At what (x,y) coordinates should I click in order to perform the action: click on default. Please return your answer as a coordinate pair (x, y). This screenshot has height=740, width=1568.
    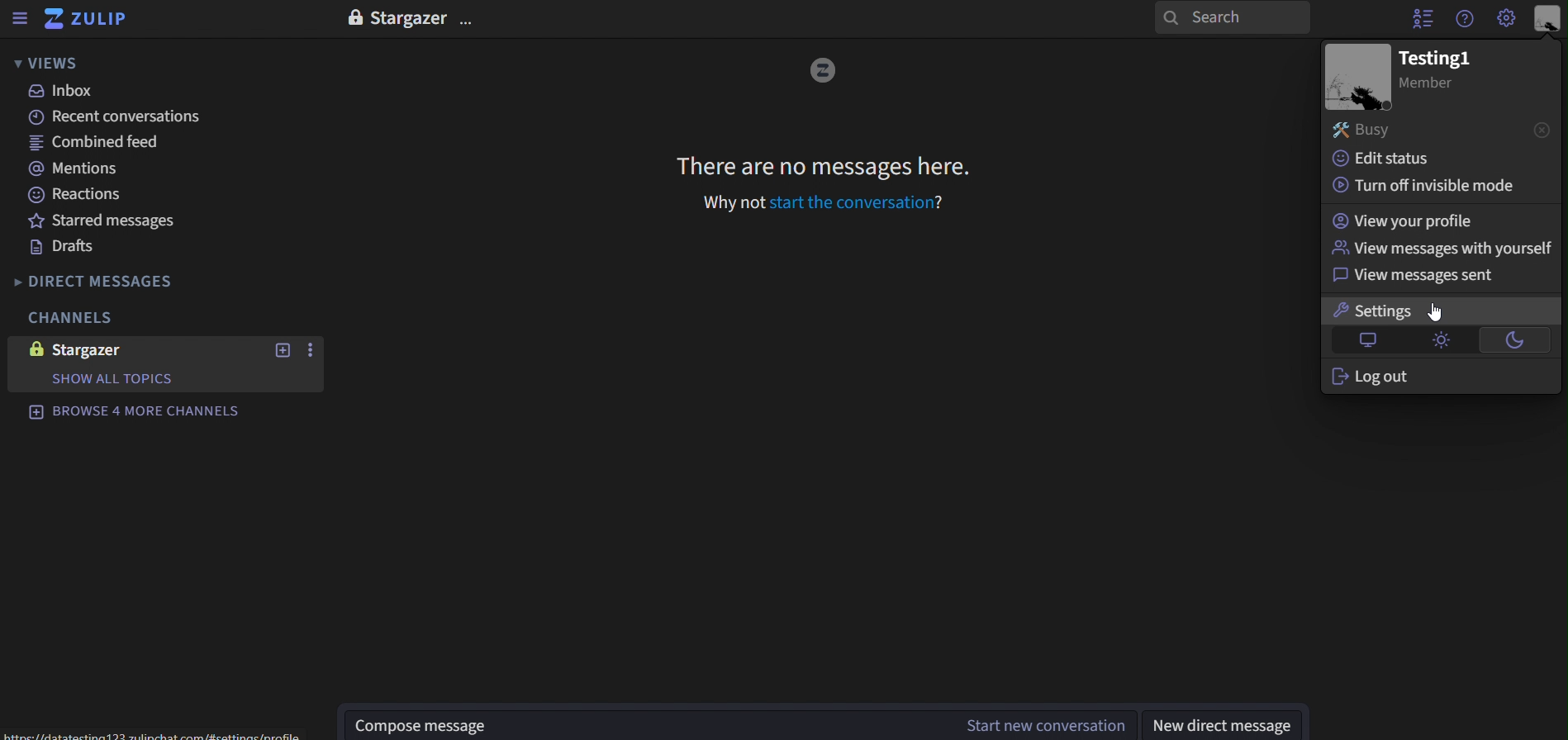
    Looking at the image, I should click on (1361, 341).